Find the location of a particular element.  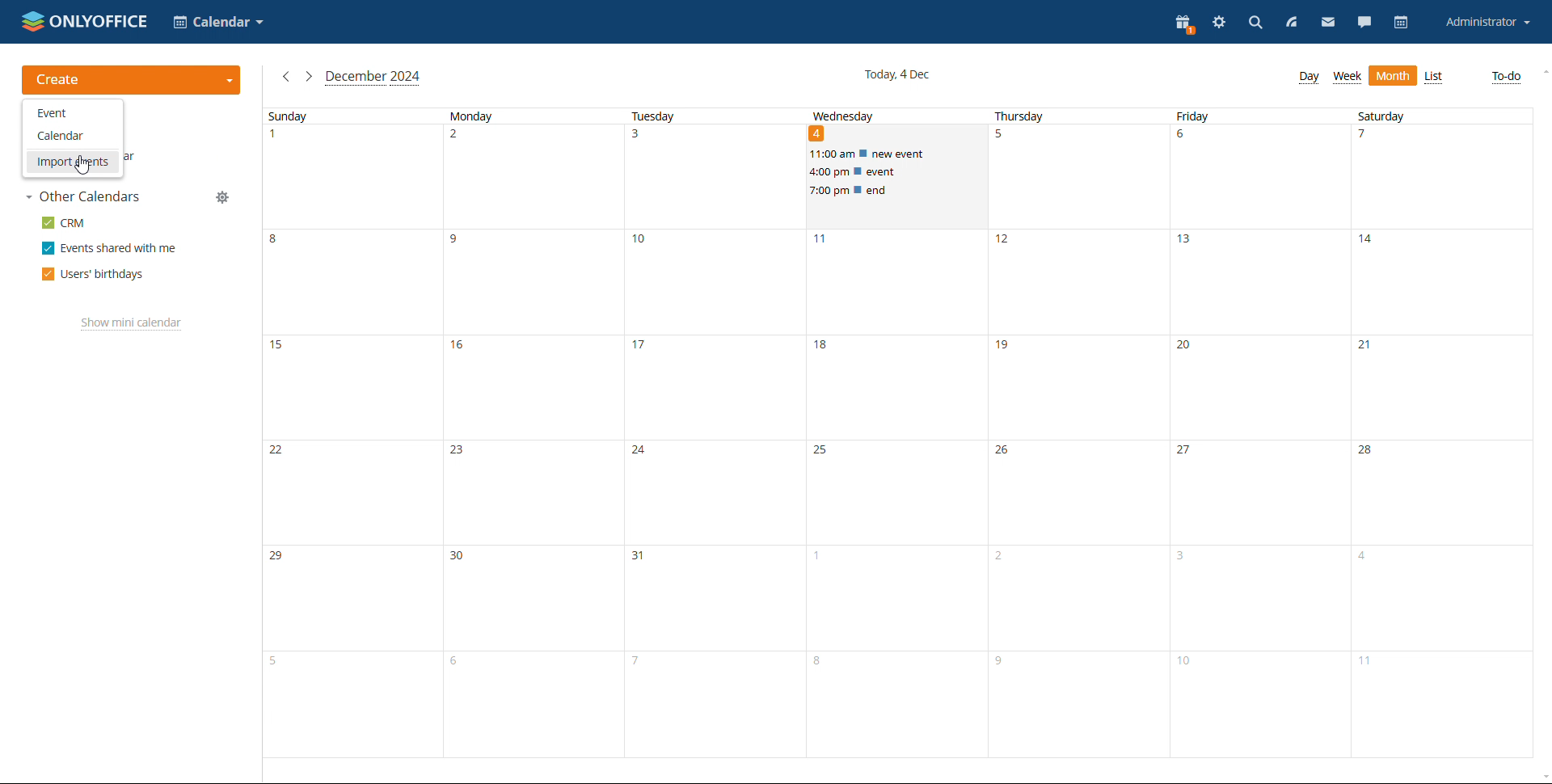

thursday is located at coordinates (1081, 434).